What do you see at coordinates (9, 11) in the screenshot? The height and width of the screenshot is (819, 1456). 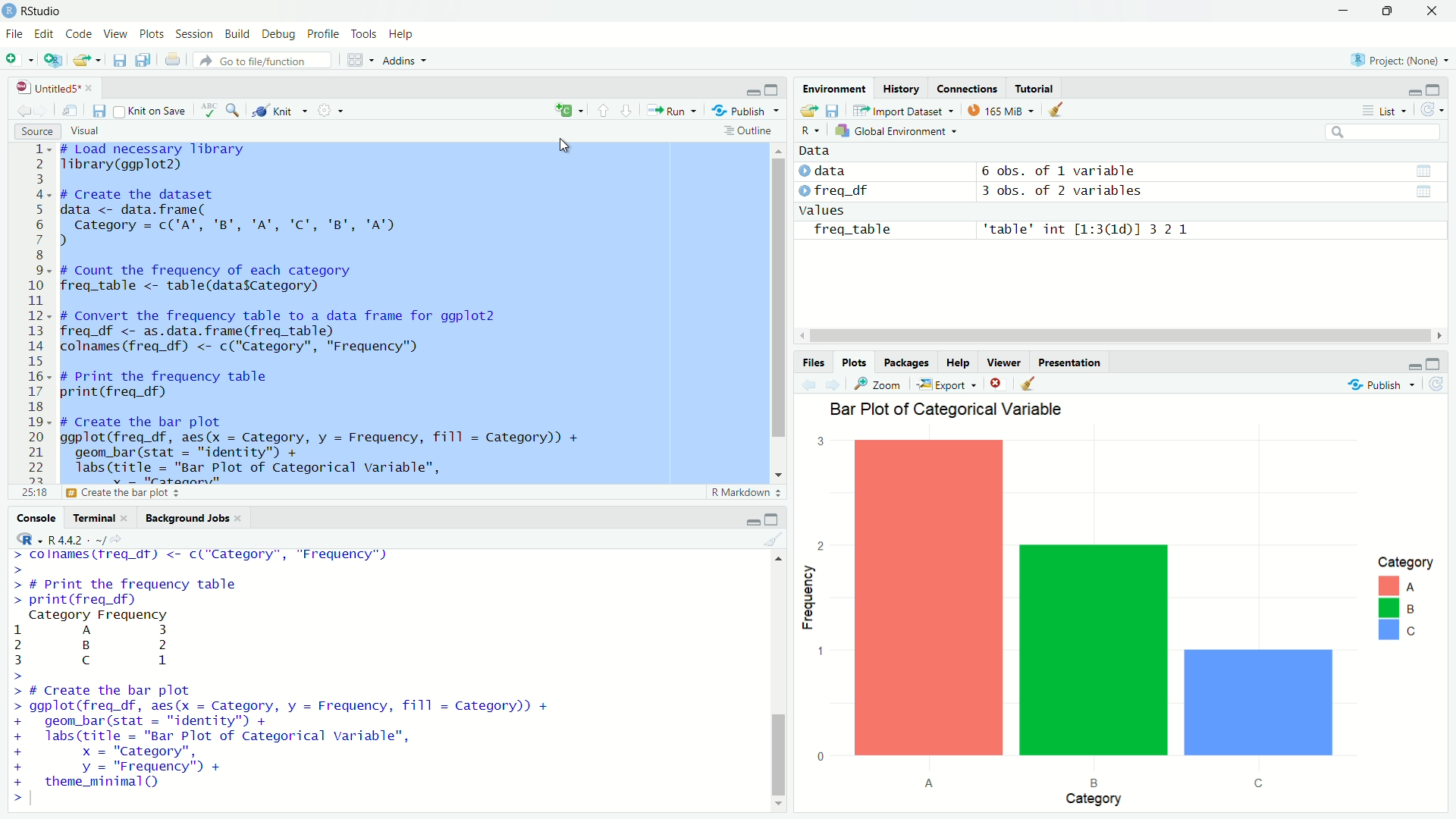 I see `app icon` at bounding box center [9, 11].